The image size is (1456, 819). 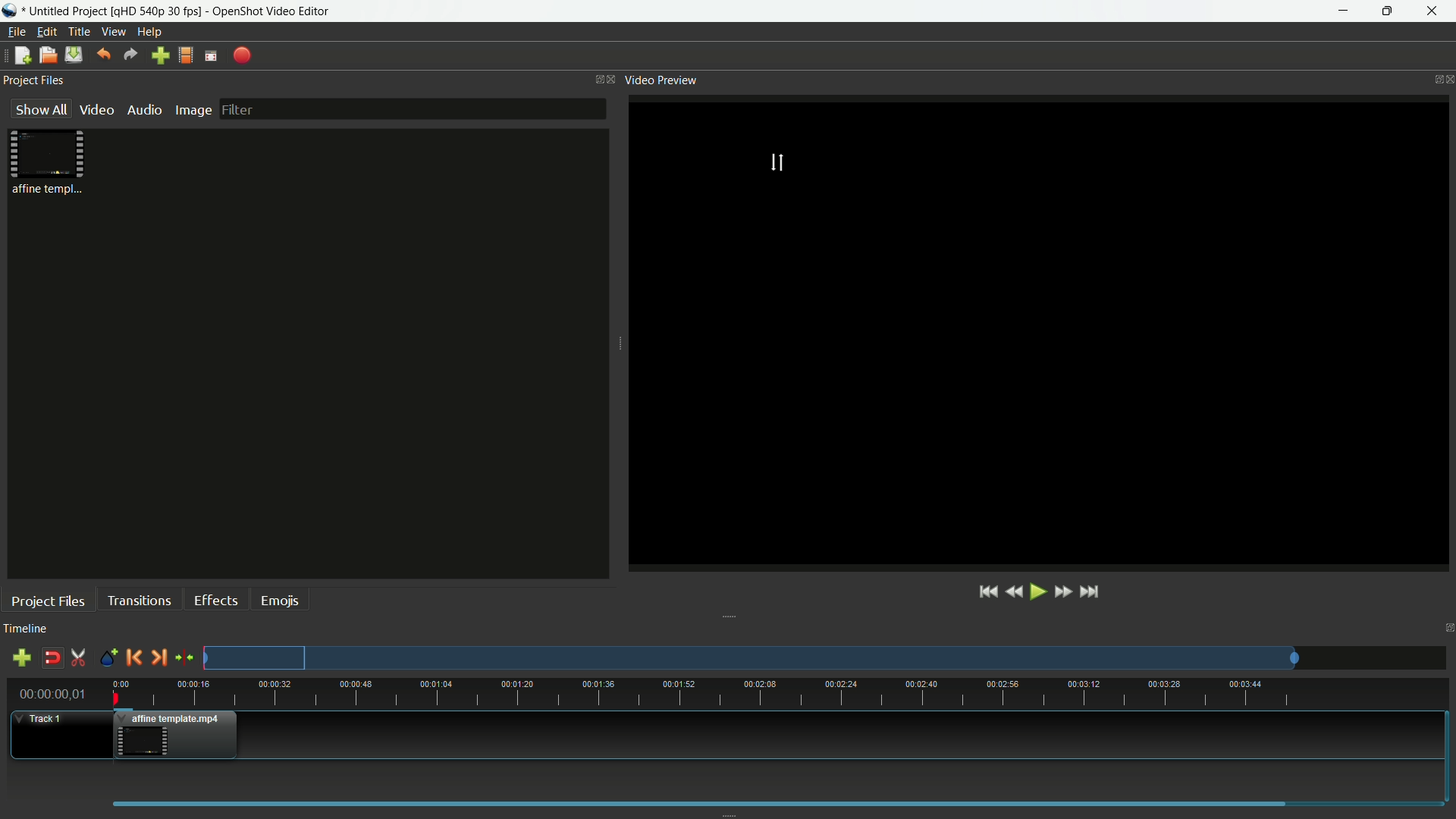 What do you see at coordinates (10, 11) in the screenshot?
I see `app icon` at bounding box center [10, 11].